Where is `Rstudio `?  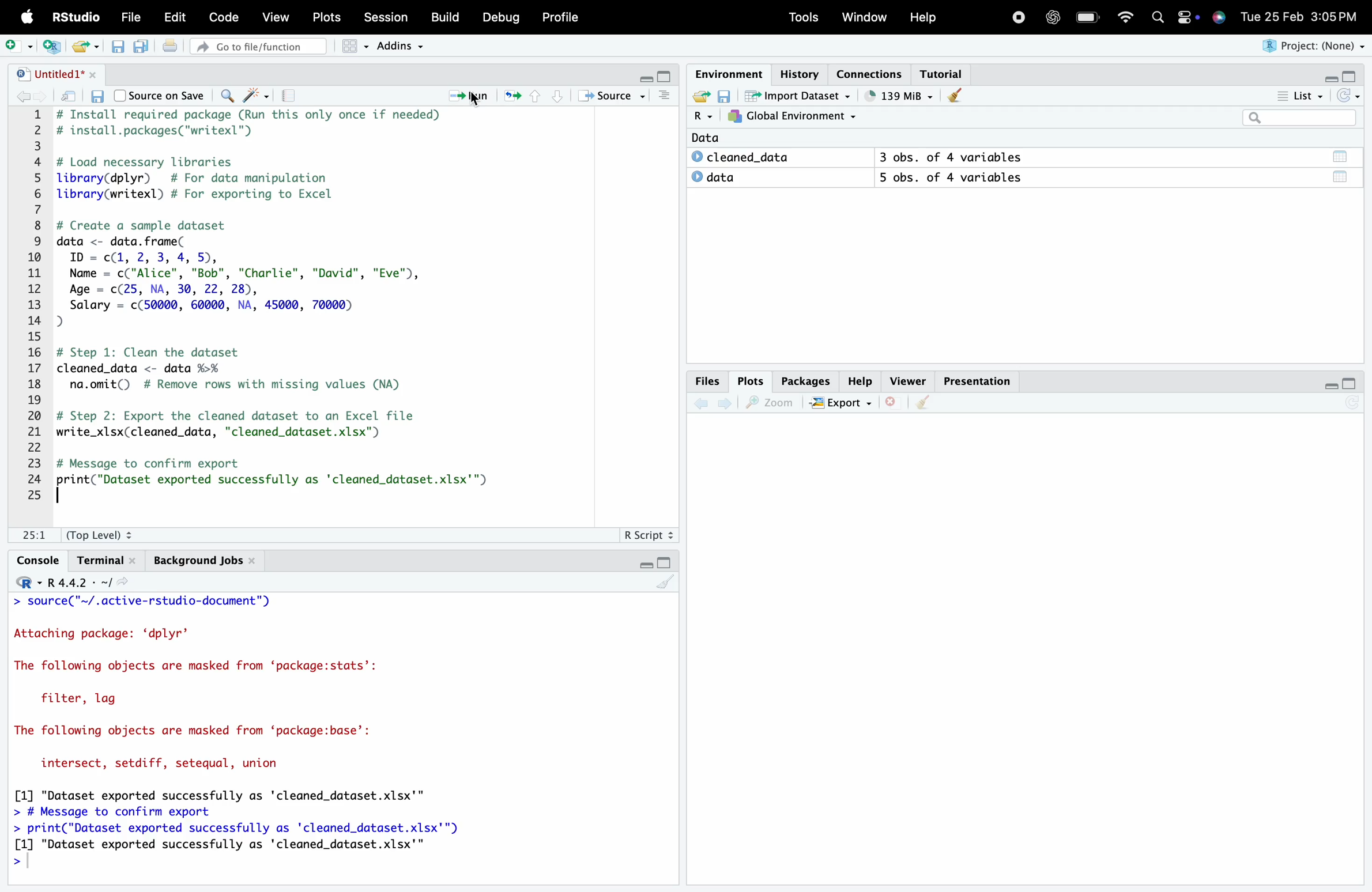 Rstudio  is located at coordinates (28, 582).